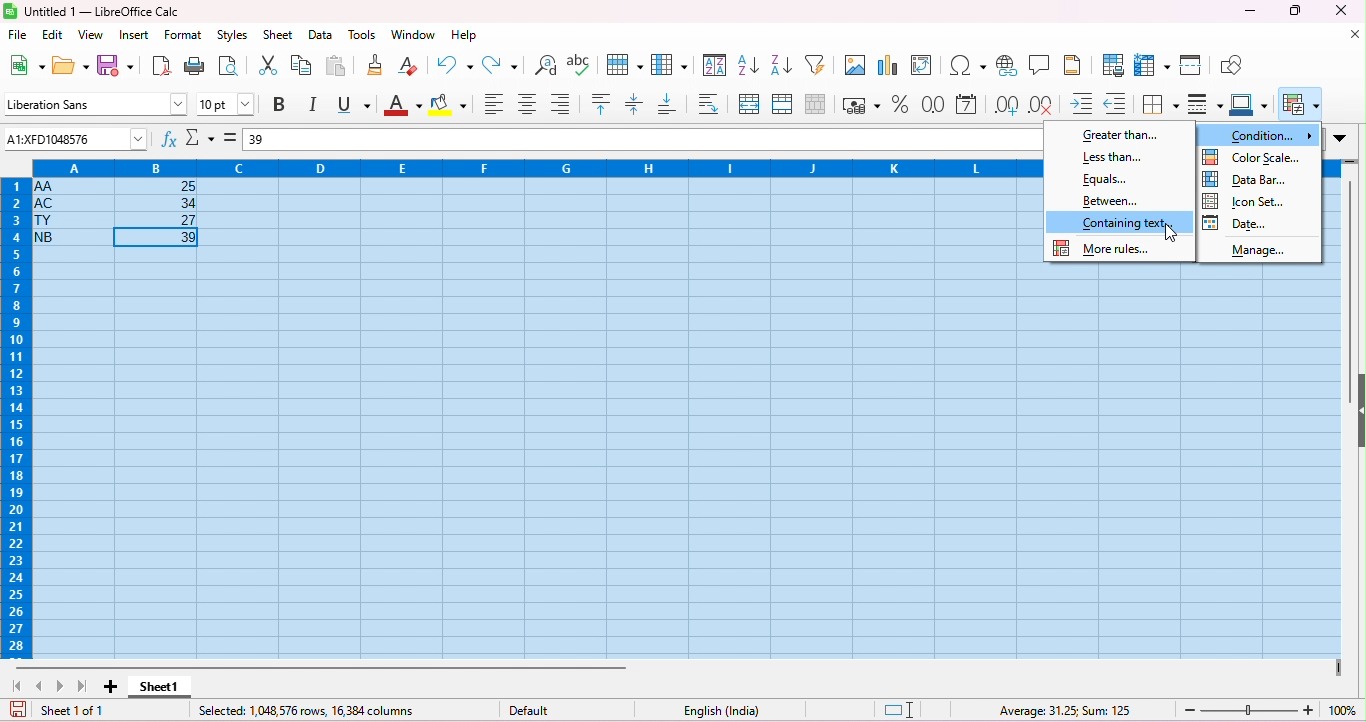  What do you see at coordinates (781, 63) in the screenshot?
I see `sort descending` at bounding box center [781, 63].